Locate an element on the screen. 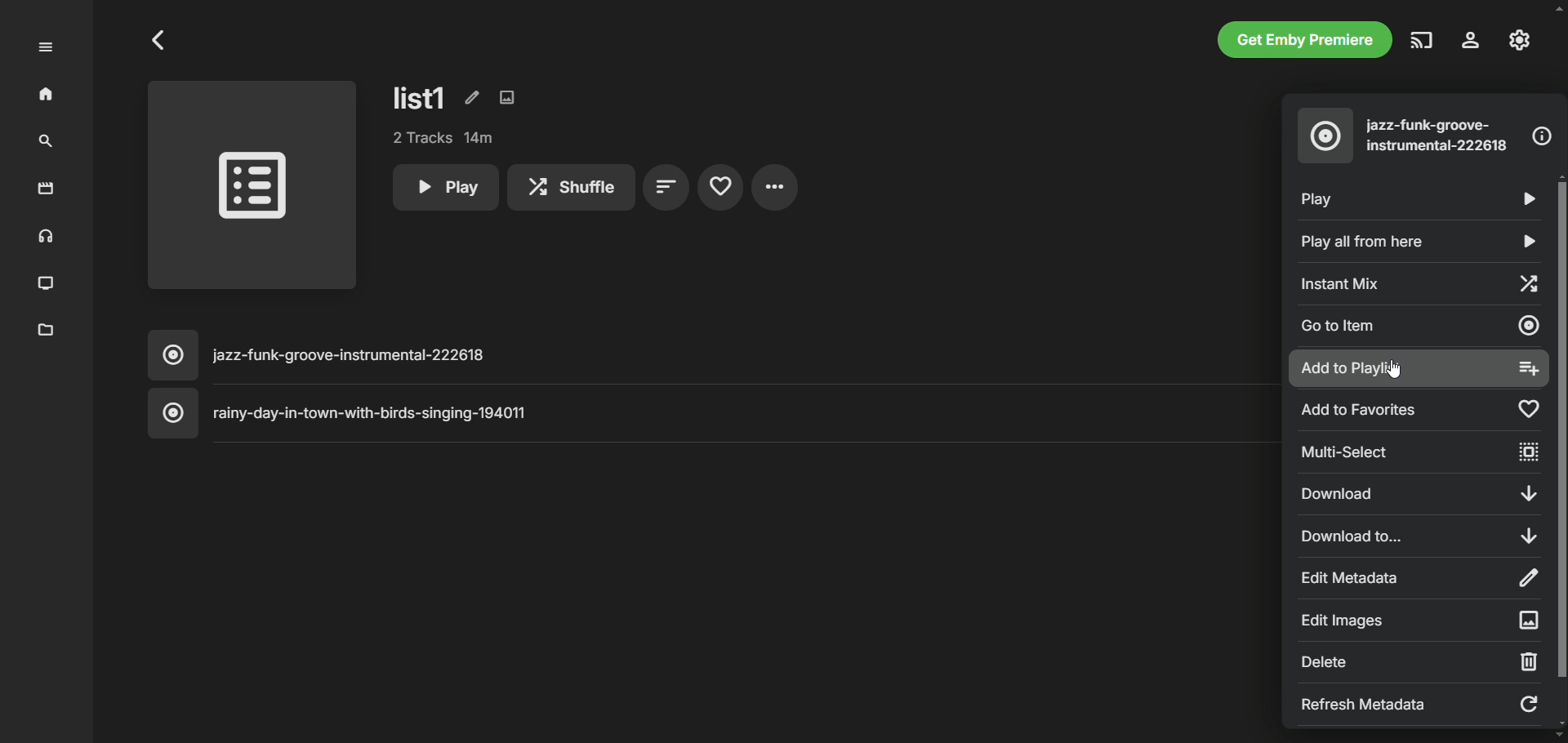  multi-select is located at coordinates (1423, 452).